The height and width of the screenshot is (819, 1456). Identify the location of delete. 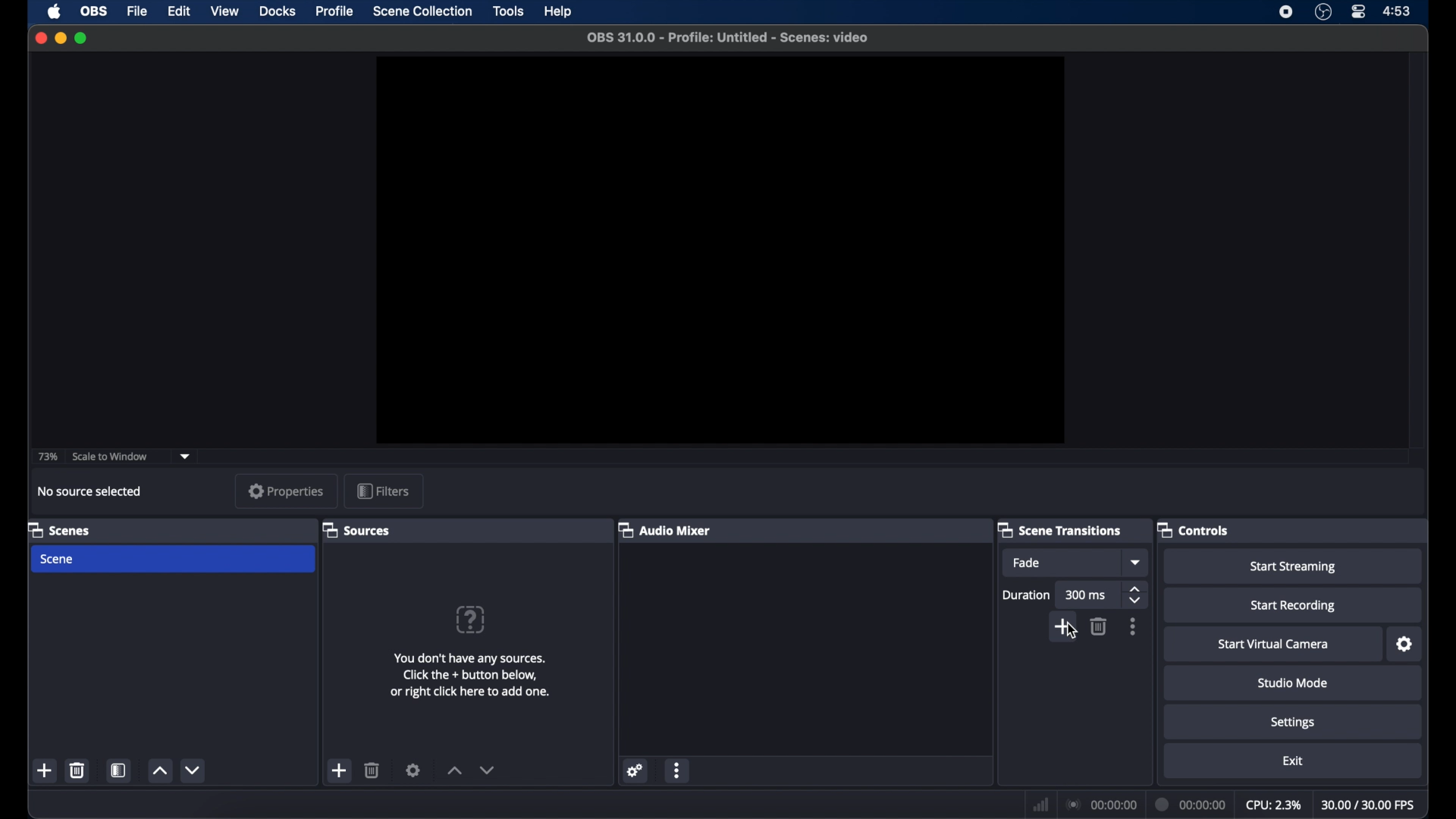
(373, 770).